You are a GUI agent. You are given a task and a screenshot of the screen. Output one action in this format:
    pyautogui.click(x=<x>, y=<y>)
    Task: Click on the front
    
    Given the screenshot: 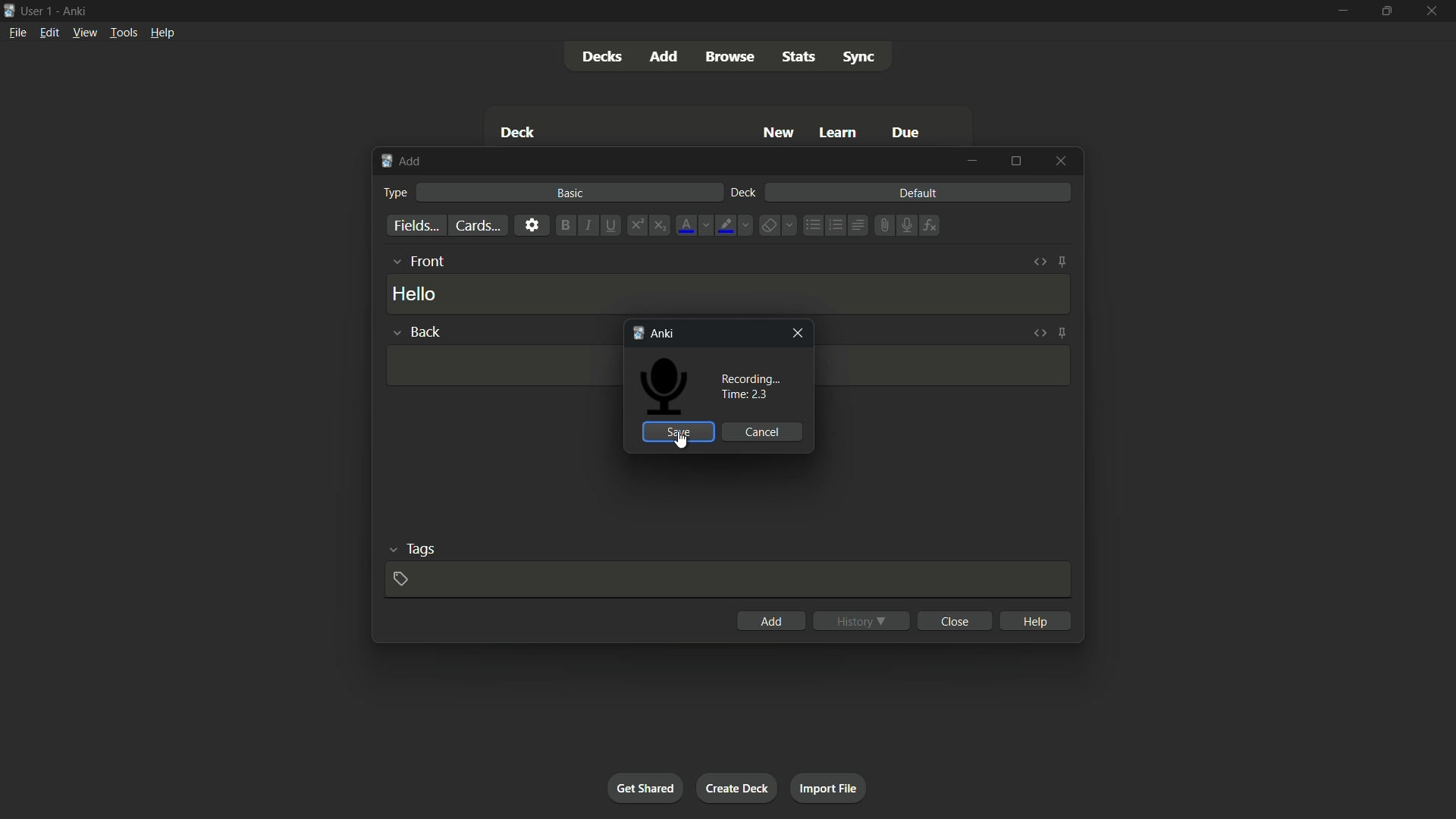 What is the action you would take?
    pyautogui.click(x=416, y=262)
    